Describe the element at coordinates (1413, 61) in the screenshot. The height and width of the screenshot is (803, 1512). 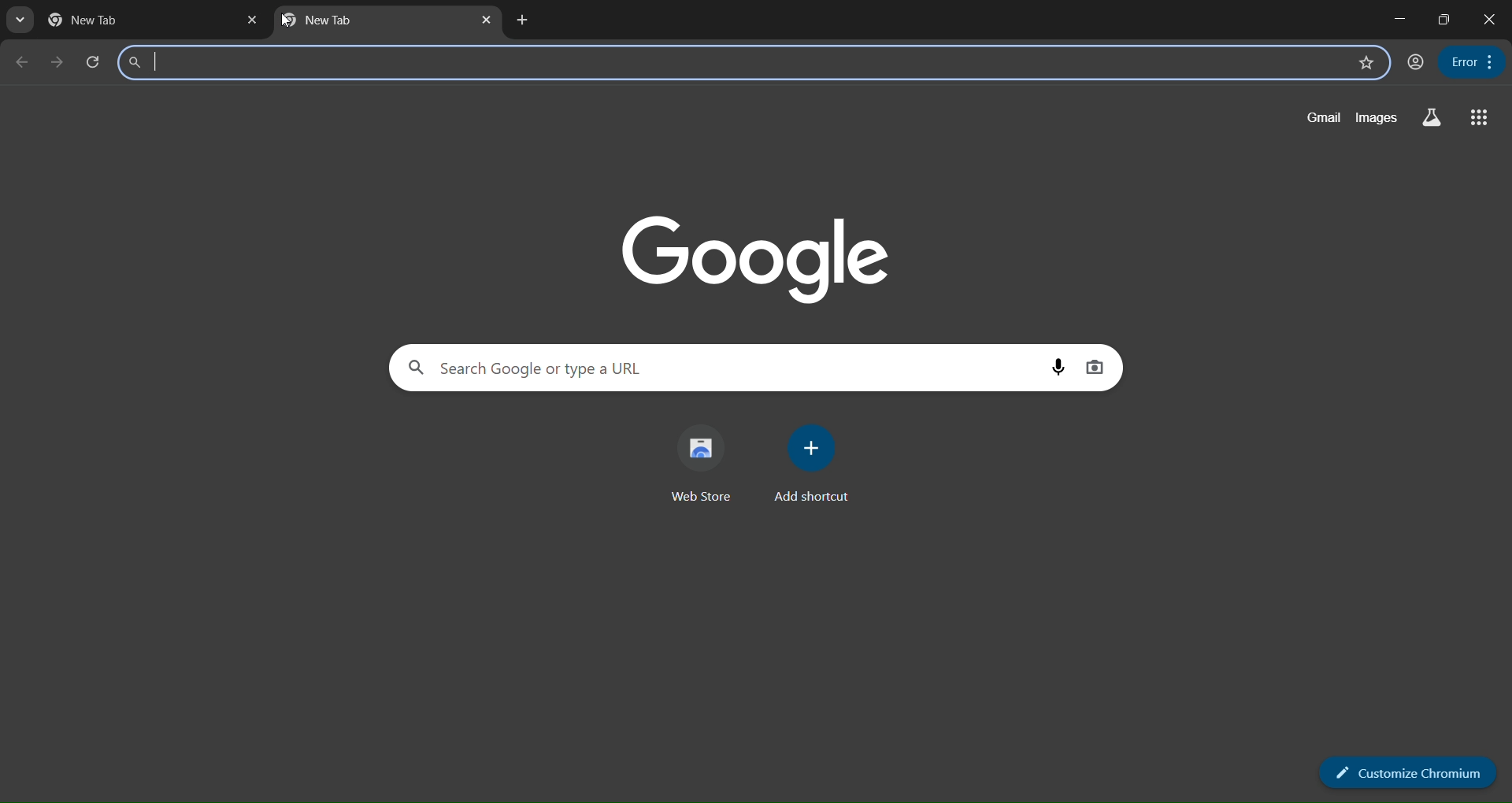
I see `user` at that location.